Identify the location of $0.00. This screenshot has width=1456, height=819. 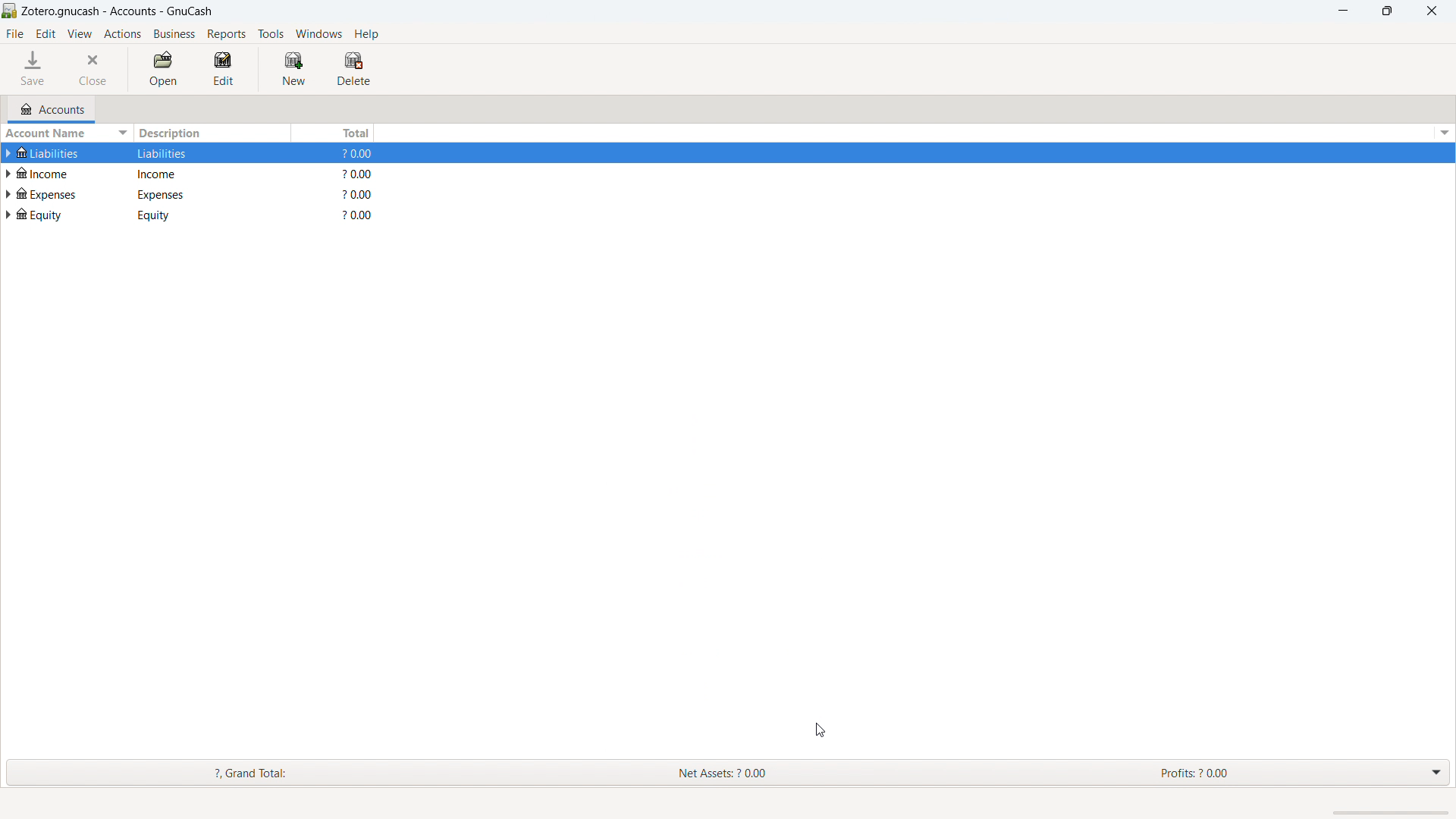
(362, 174).